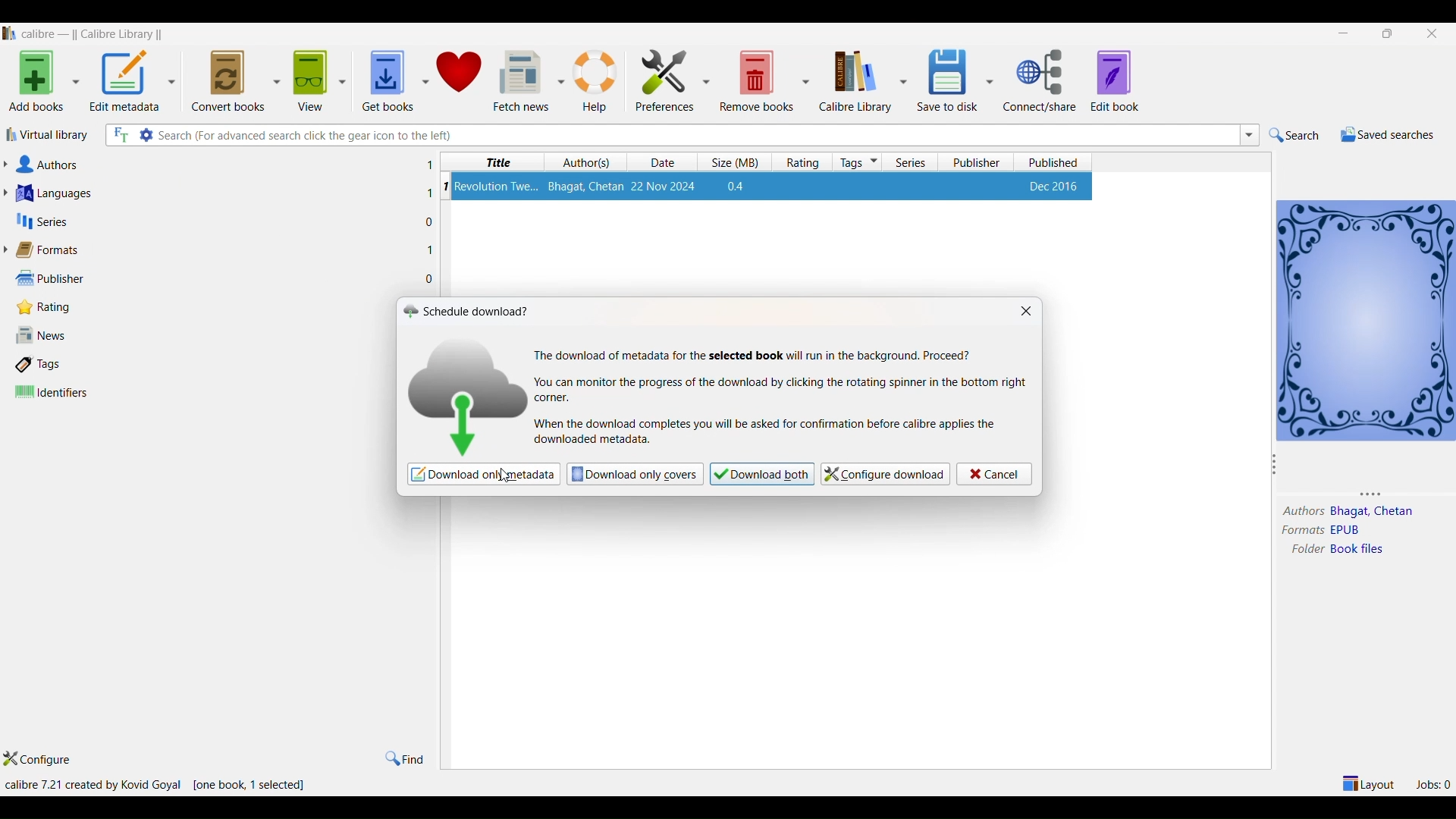  What do you see at coordinates (227, 78) in the screenshot?
I see `convert books` at bounding box center [227, 78].